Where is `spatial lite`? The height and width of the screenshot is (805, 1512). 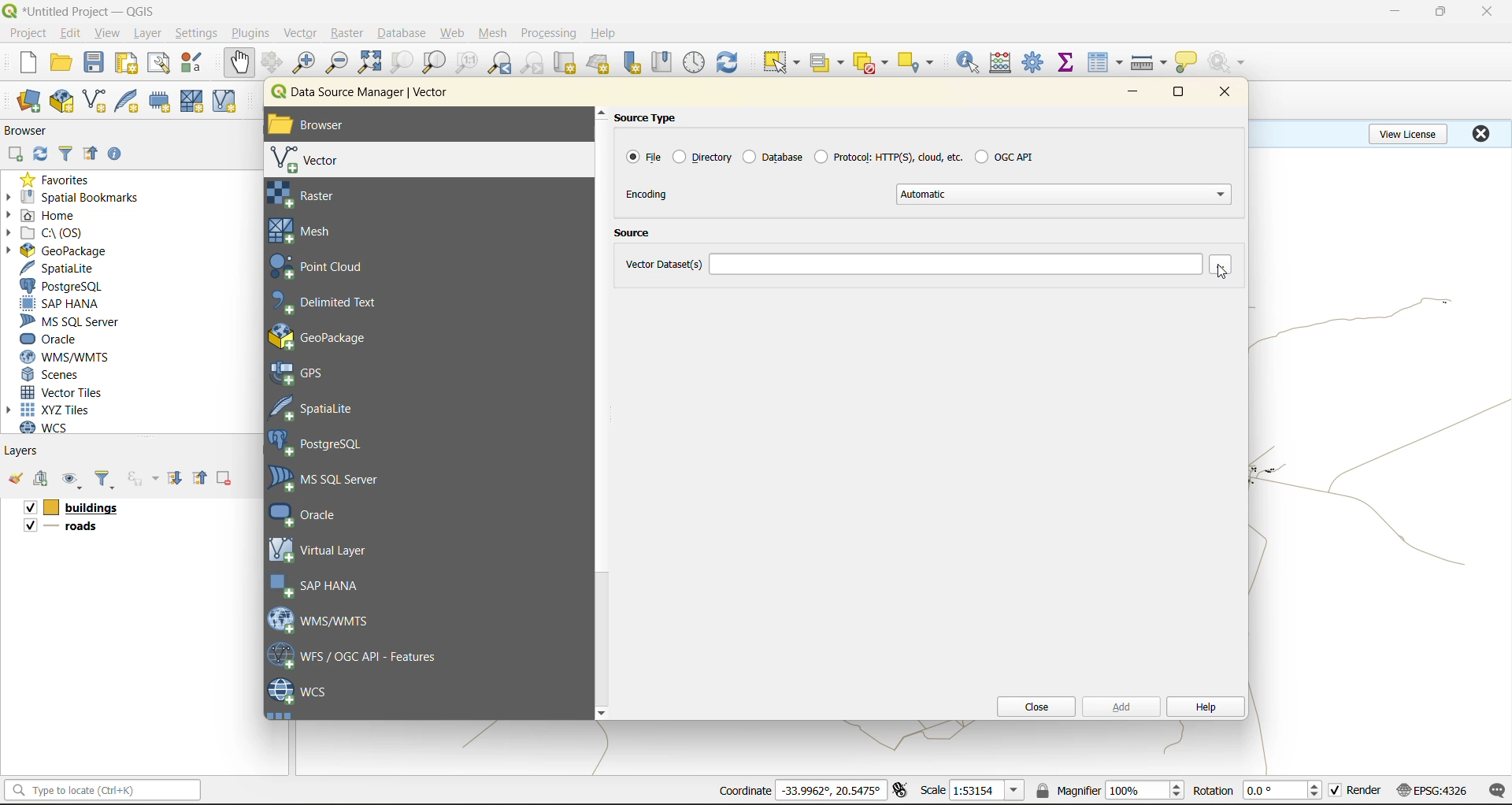
spatial lite is located at coordinates (325, 406).